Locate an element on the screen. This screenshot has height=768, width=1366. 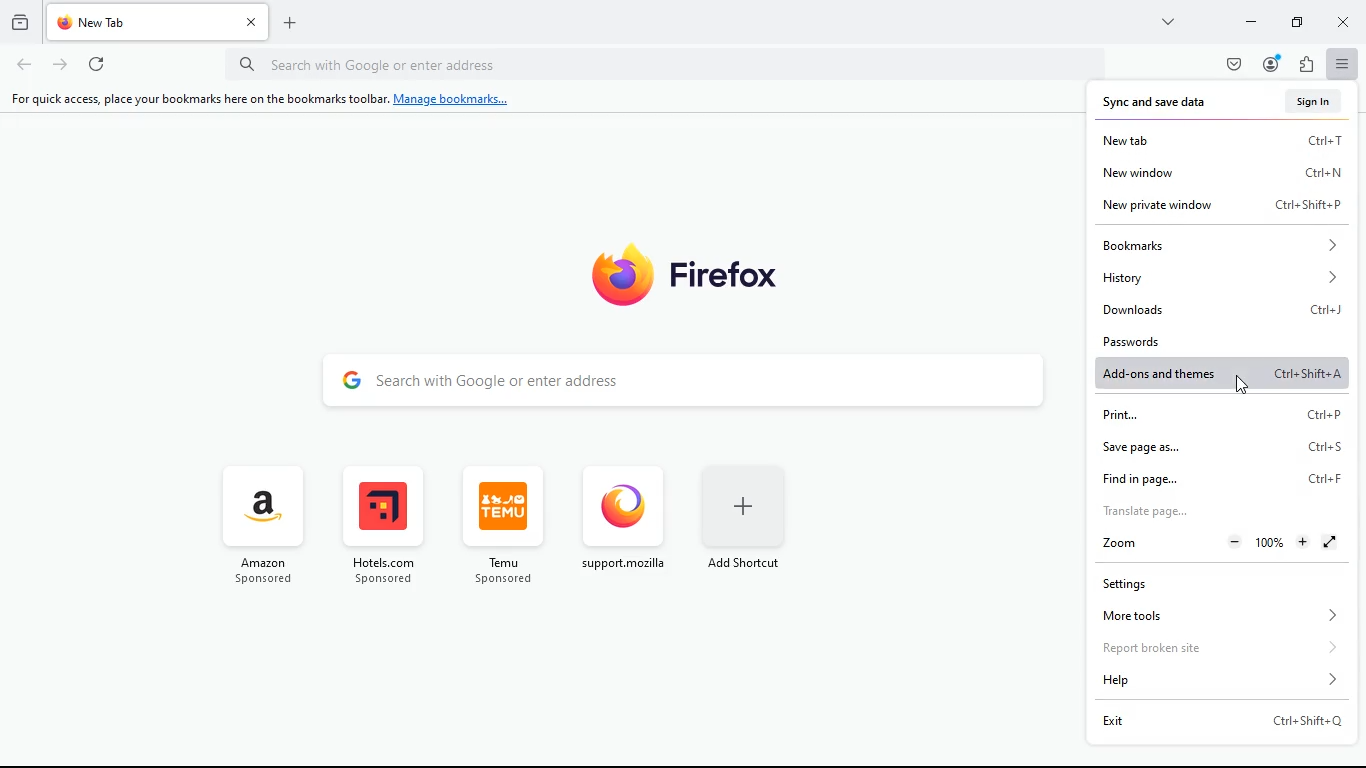
sync and save data is located at coordinates (1164, 104).